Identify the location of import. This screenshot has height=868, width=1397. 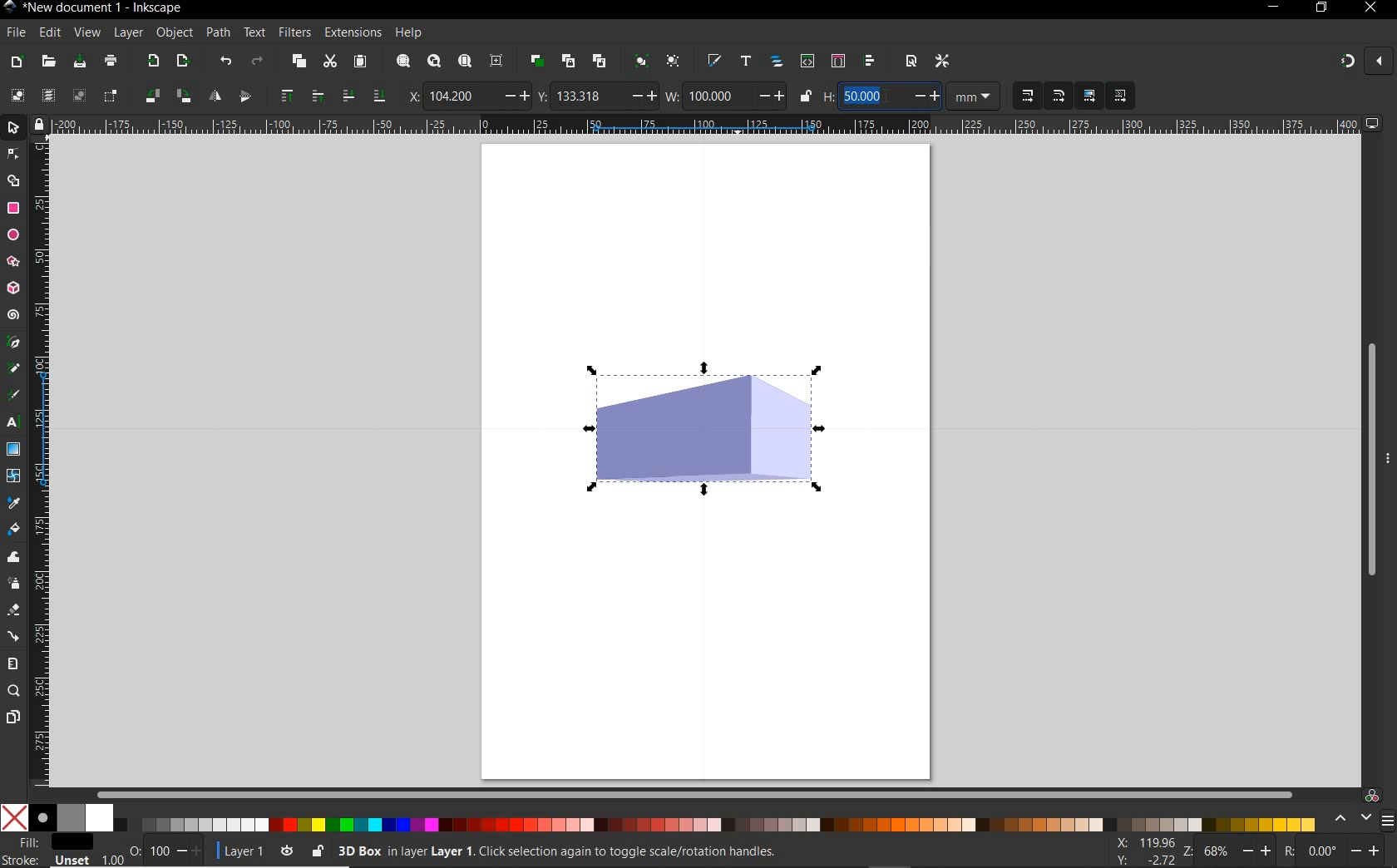
(152, 61).